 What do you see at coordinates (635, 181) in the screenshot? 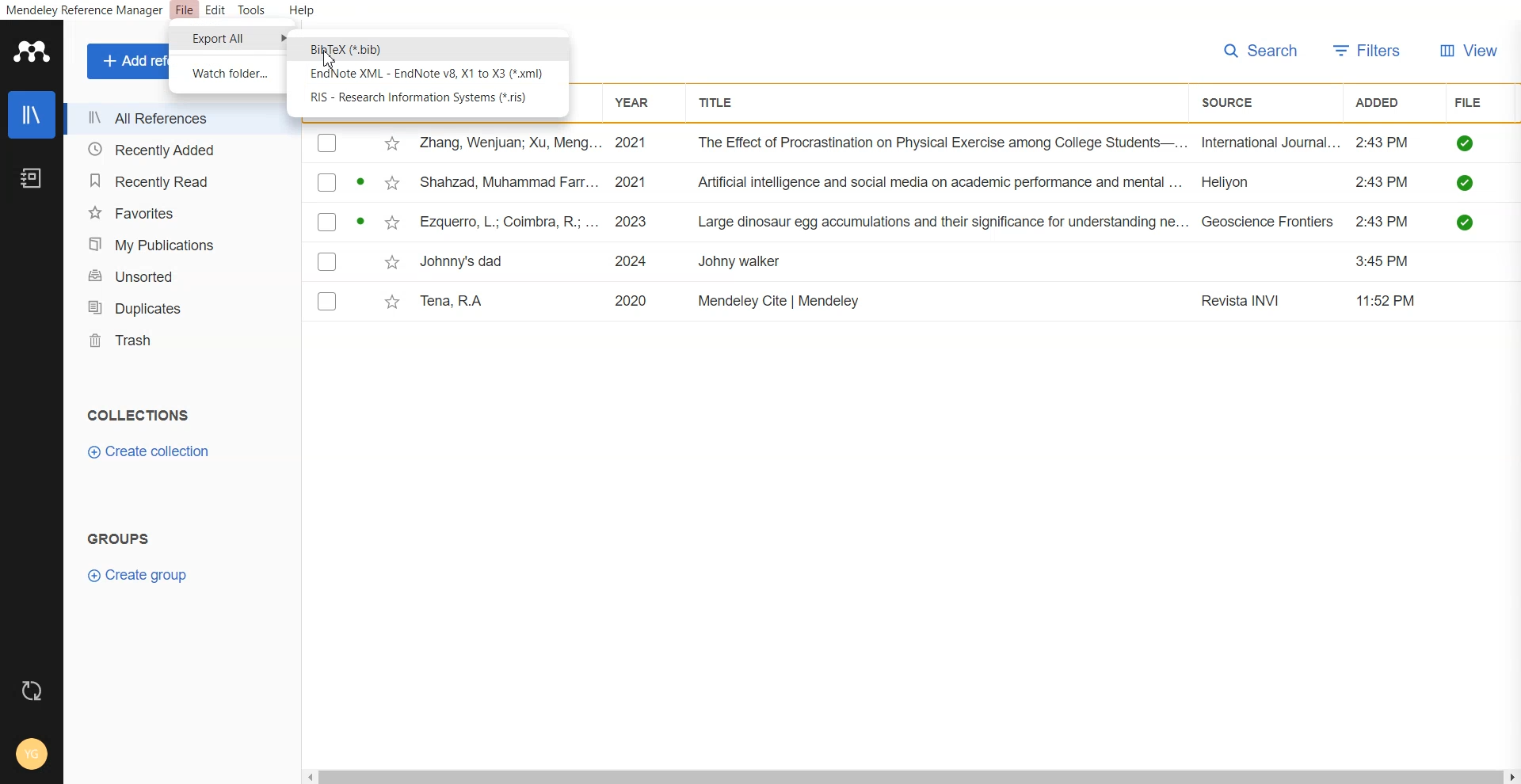
I see `2021` at bounding box center [635, 181].